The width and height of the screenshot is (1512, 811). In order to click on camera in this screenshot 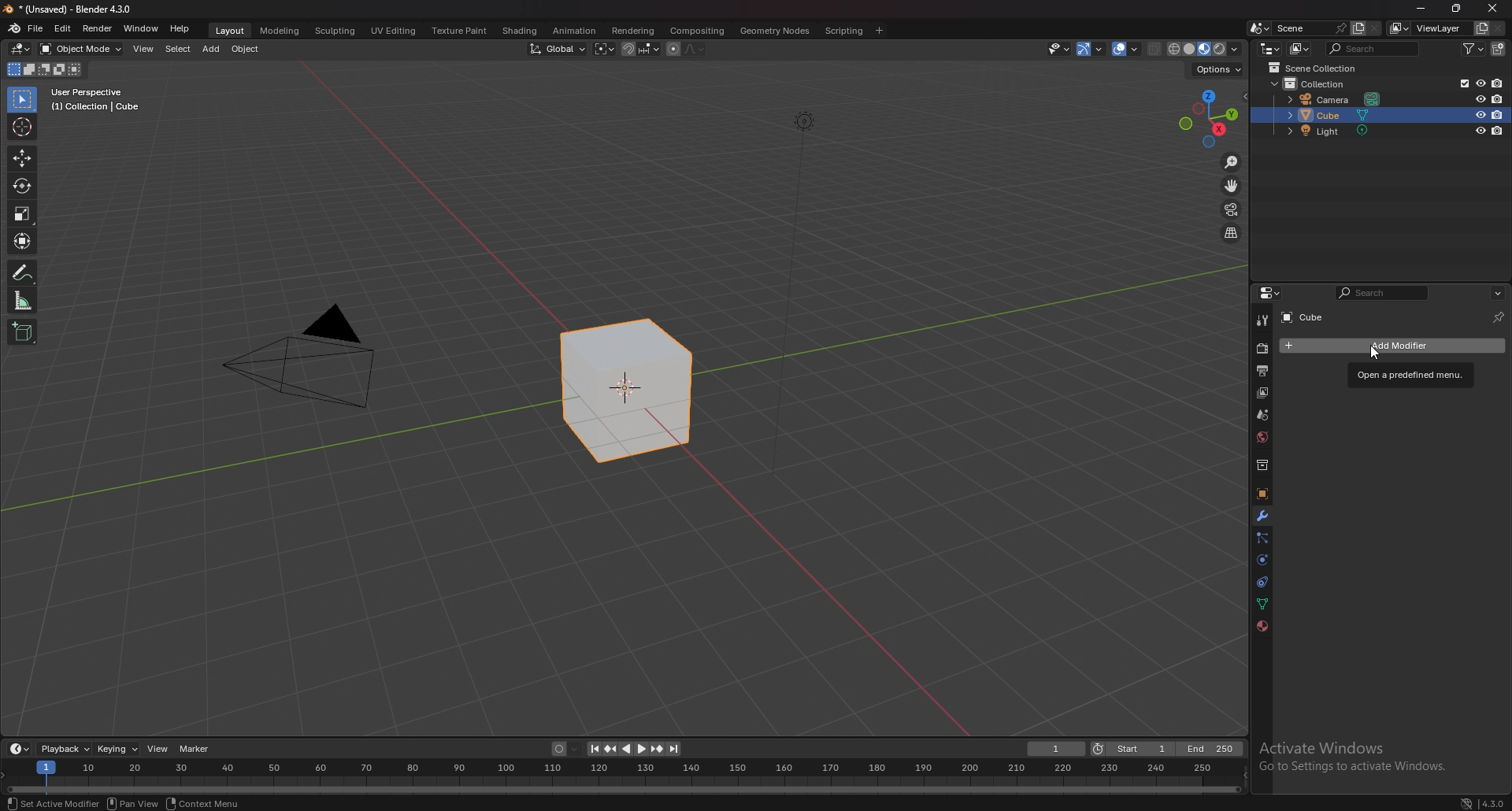, I will do `click(1336, 99)`.